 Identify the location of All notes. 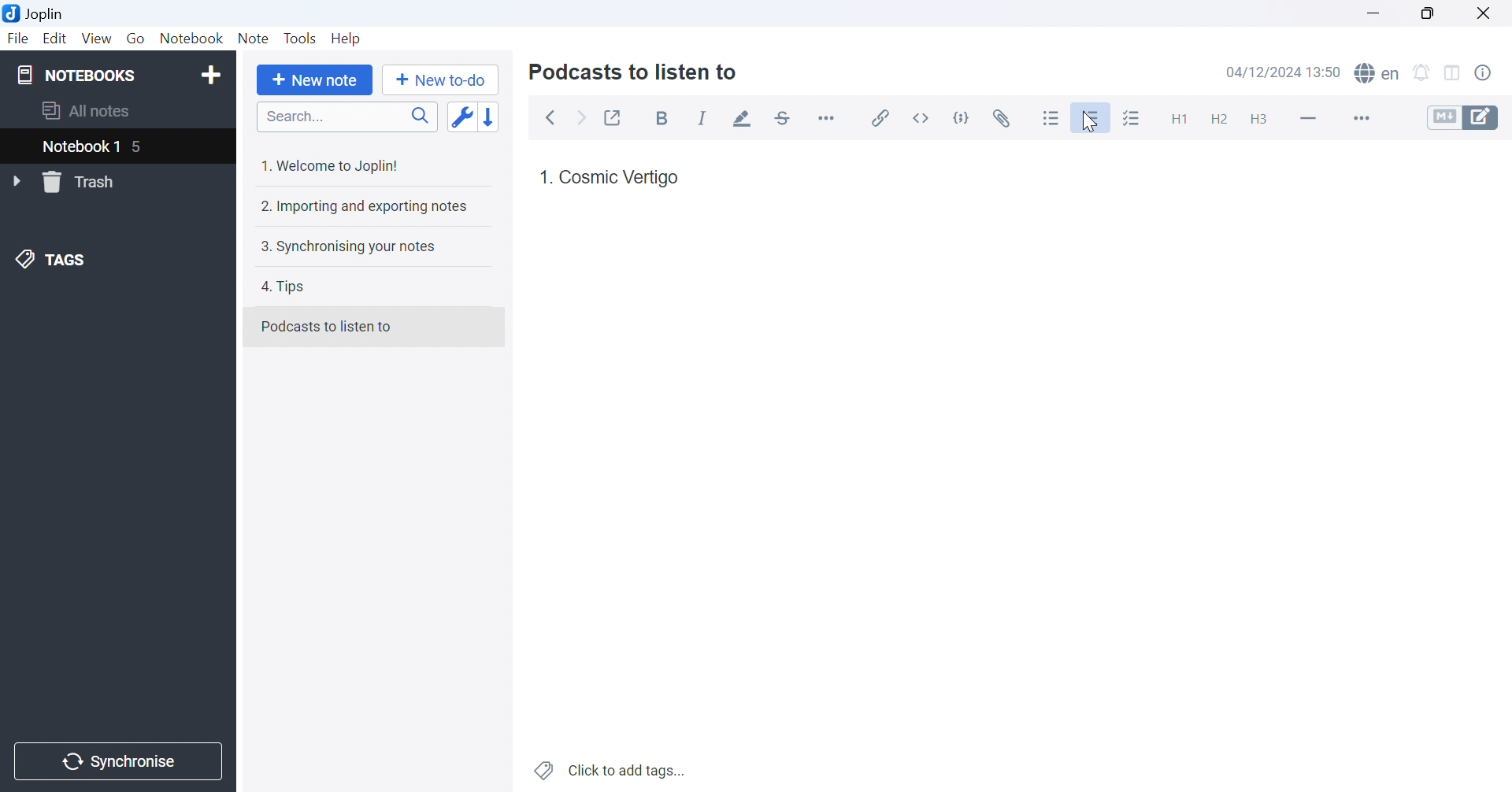
(87, 112).